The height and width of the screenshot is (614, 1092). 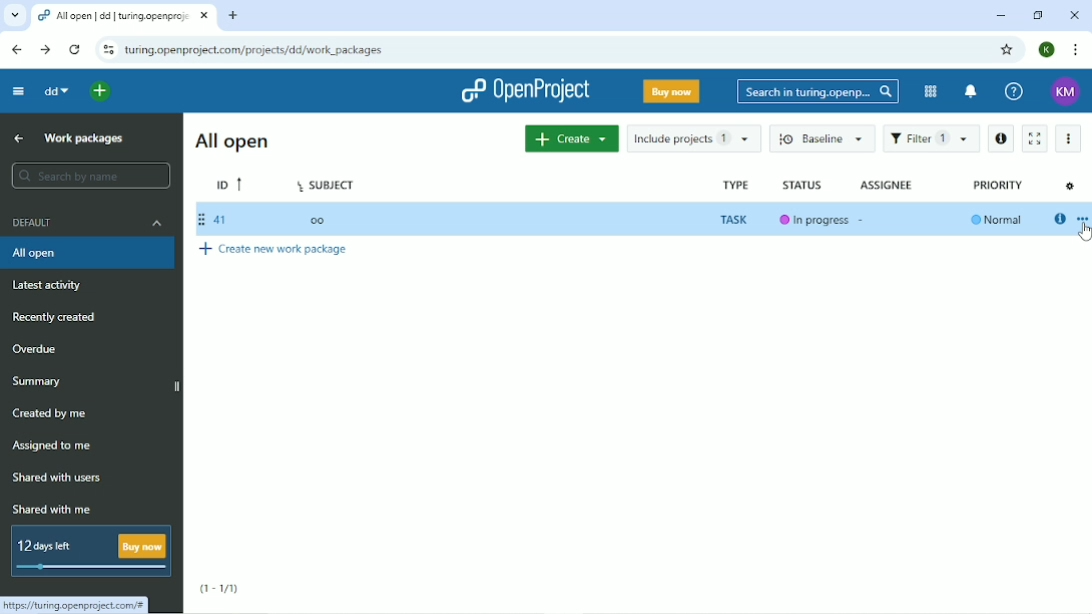 What do you see at coordinates (735, 219) in the screenshot?
I see `Task` at bounding box center [735, 219].